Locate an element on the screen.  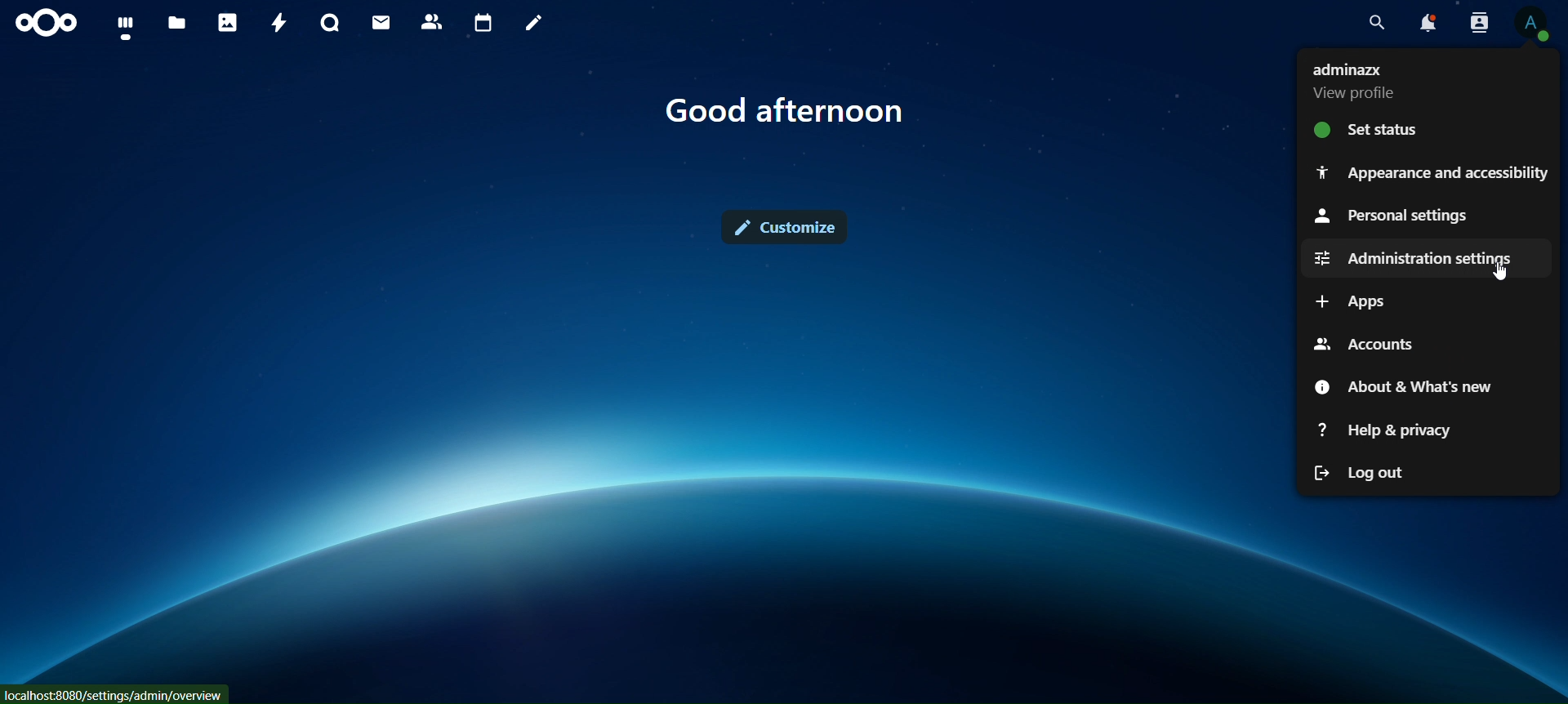
apps is located at coordinates (1359, 301).